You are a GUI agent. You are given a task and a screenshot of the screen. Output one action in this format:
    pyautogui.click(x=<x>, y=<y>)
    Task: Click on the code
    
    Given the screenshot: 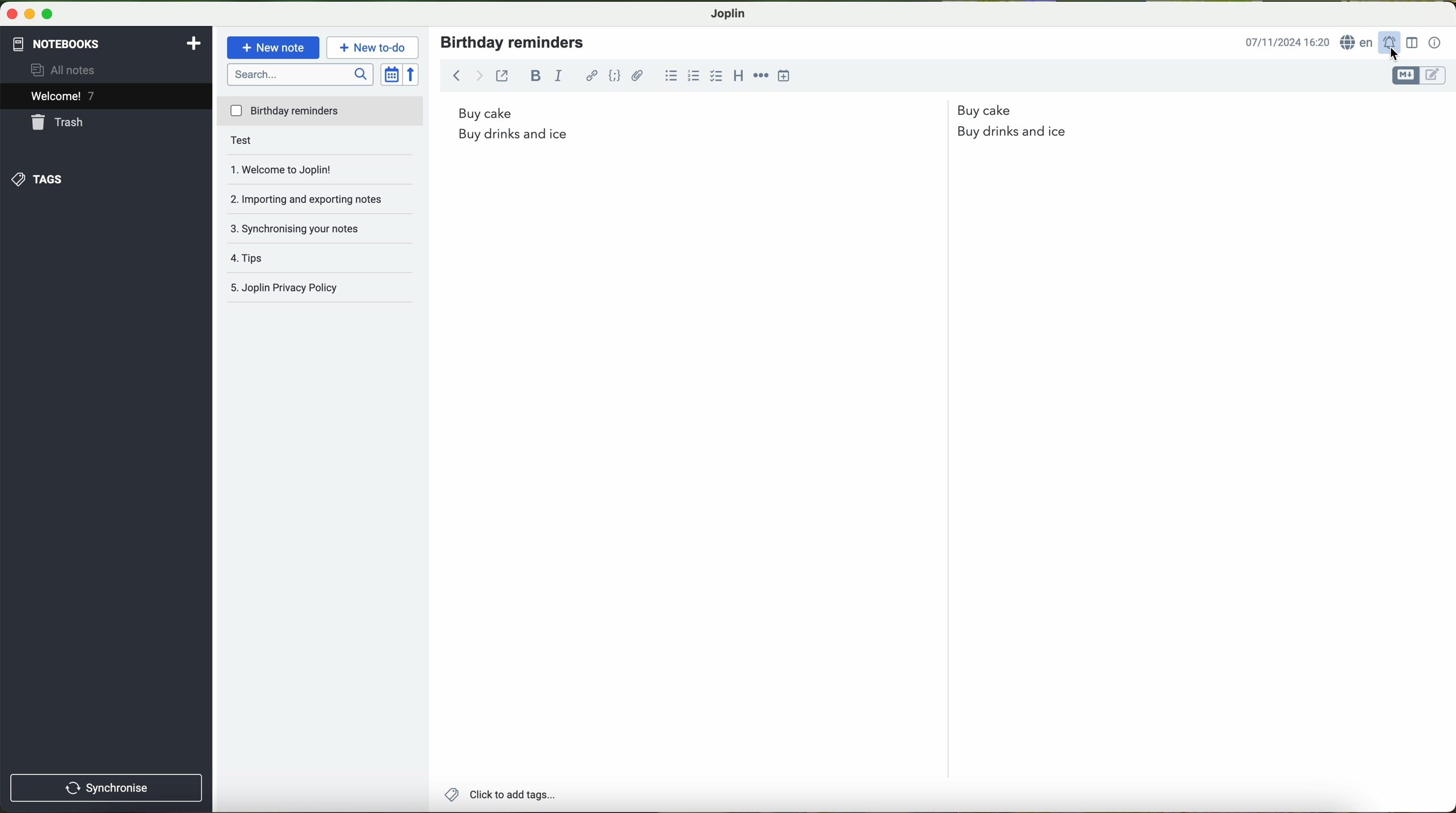 What is the action you would take?
    pyautogui.click(x=615, y=75)
    